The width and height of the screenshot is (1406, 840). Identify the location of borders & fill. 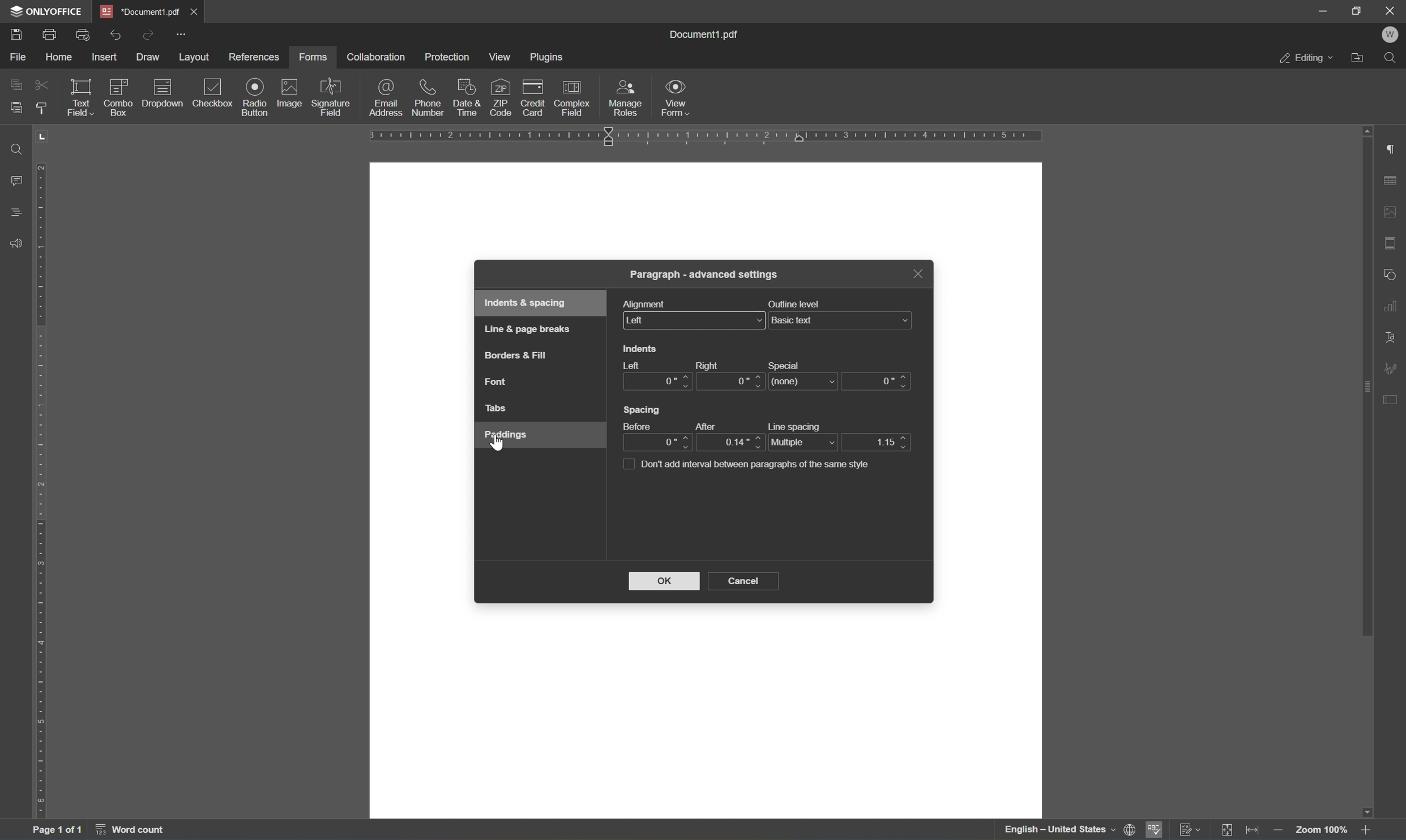
(514, 357).